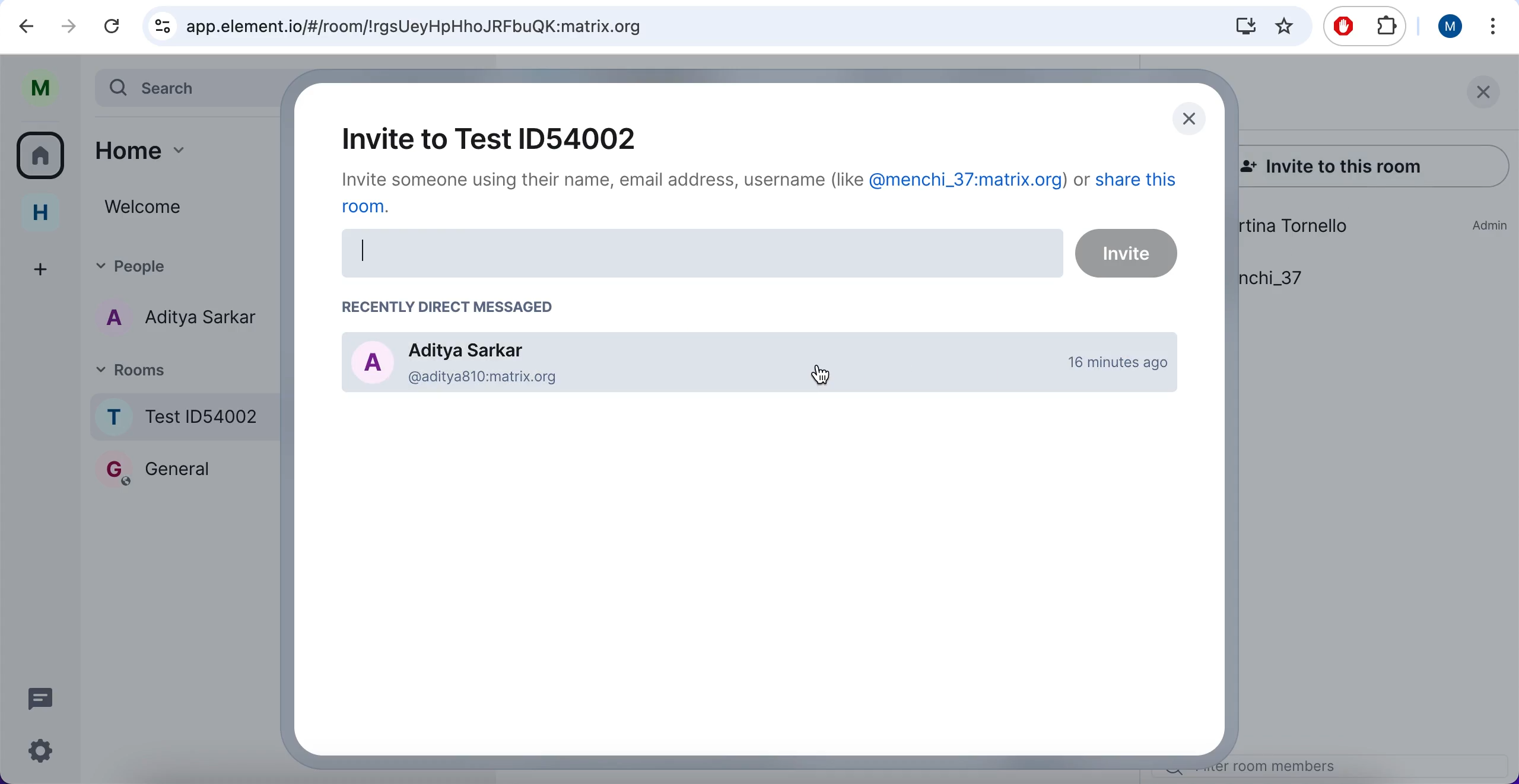 This screenshot has width=1519, height=784. What do you see at coordinates (1492, 26) in the screenshot?
I see `options` at bounding box center [1492, 26].